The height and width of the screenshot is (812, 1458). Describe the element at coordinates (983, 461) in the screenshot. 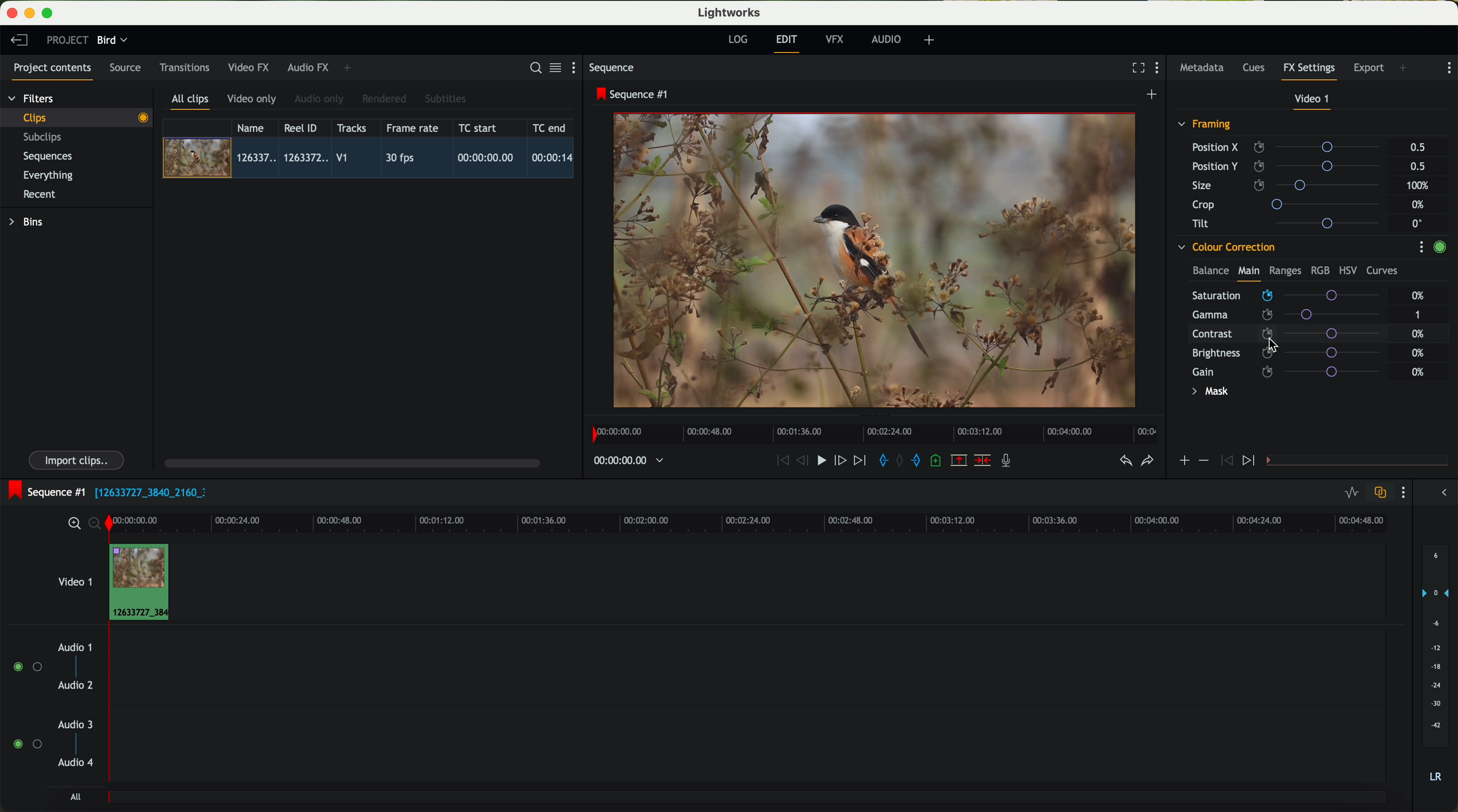

I see `delete/cut` at that location.